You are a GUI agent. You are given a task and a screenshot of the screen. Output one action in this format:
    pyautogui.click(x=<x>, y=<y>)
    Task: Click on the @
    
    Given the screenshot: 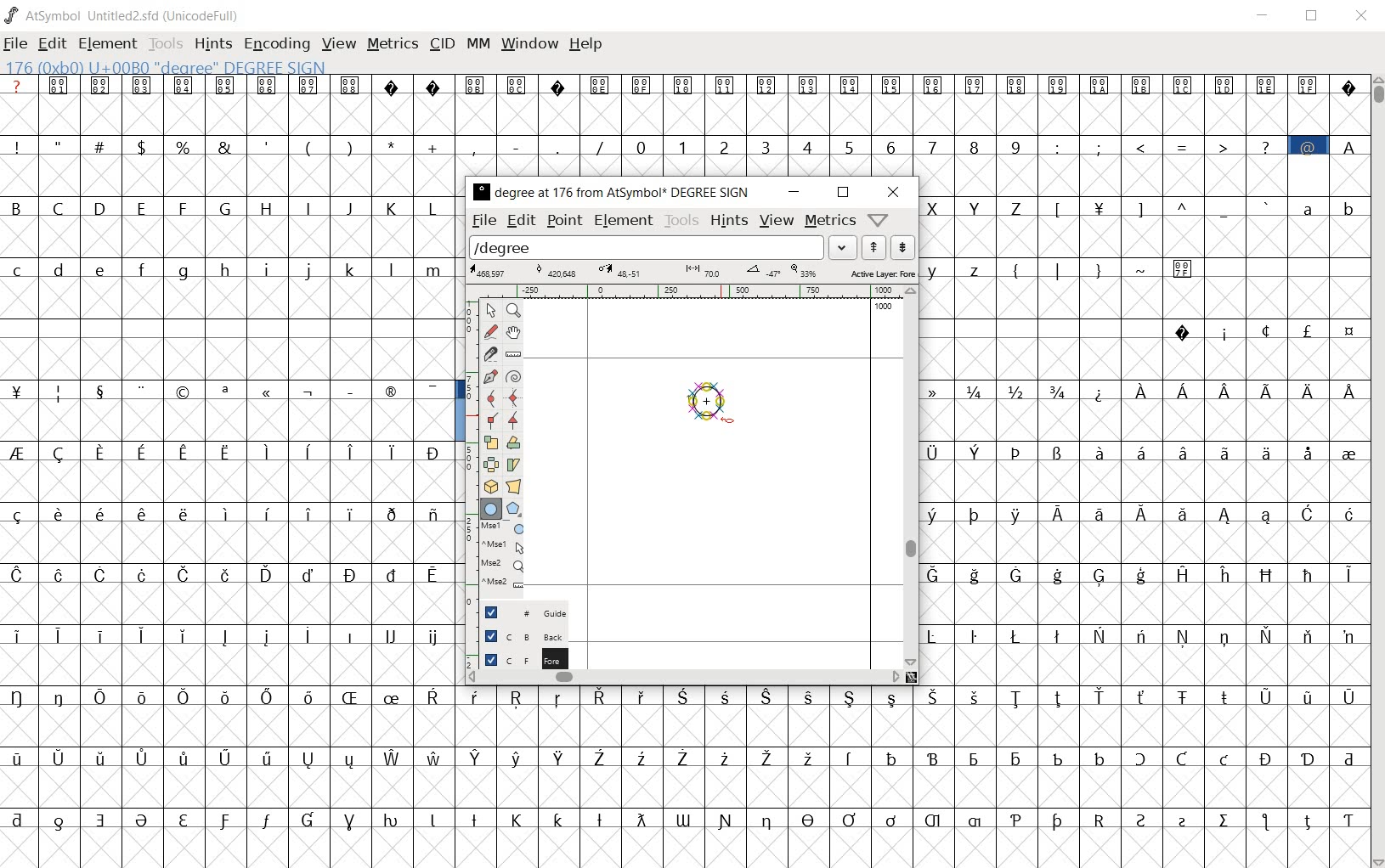 What is the action you would take?
    pyautogui.click(x=1310, y=145)
    